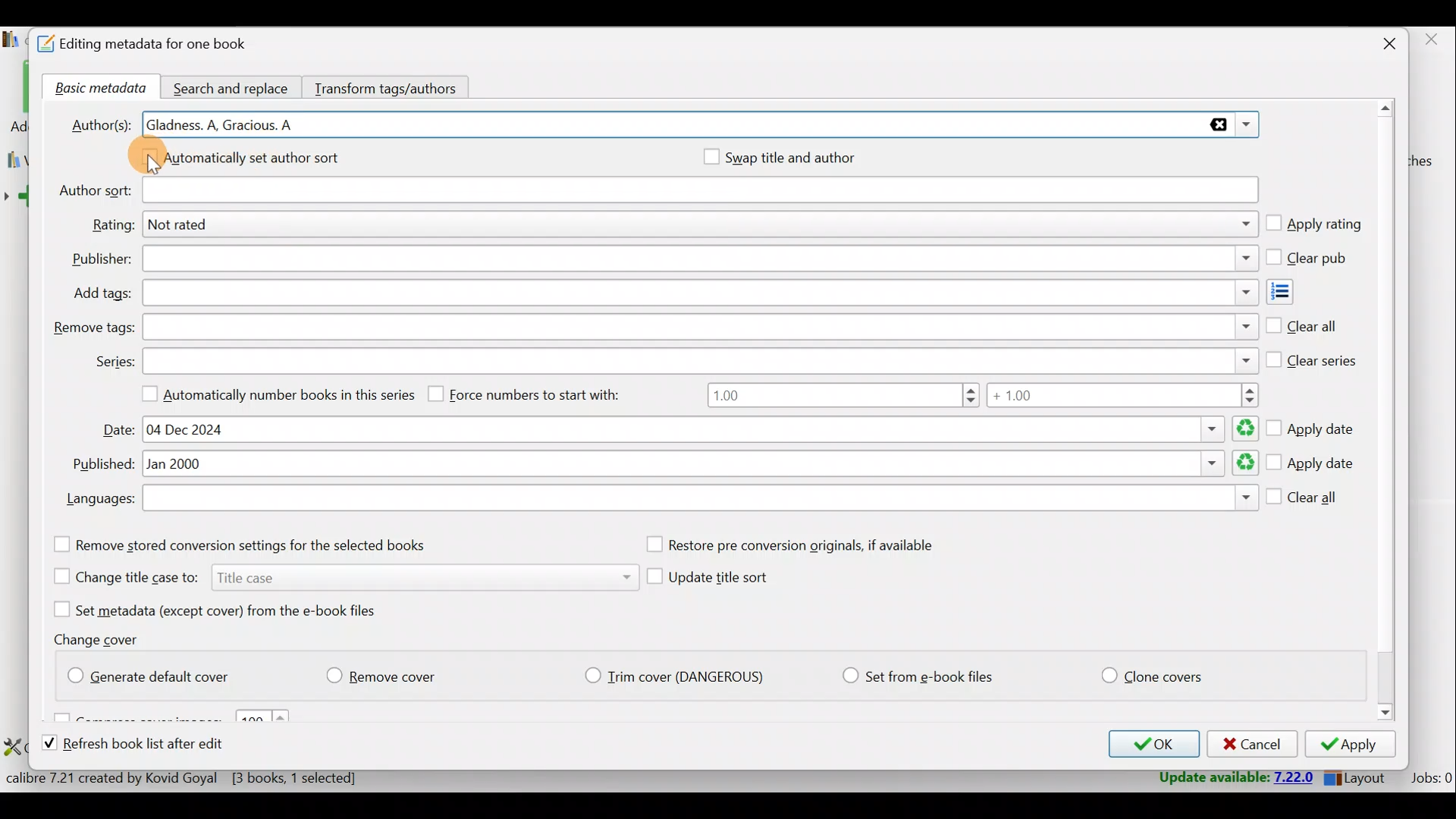 This screenshot has height=819, width=1456. I want to click on Search and replace, so click(233, 86).